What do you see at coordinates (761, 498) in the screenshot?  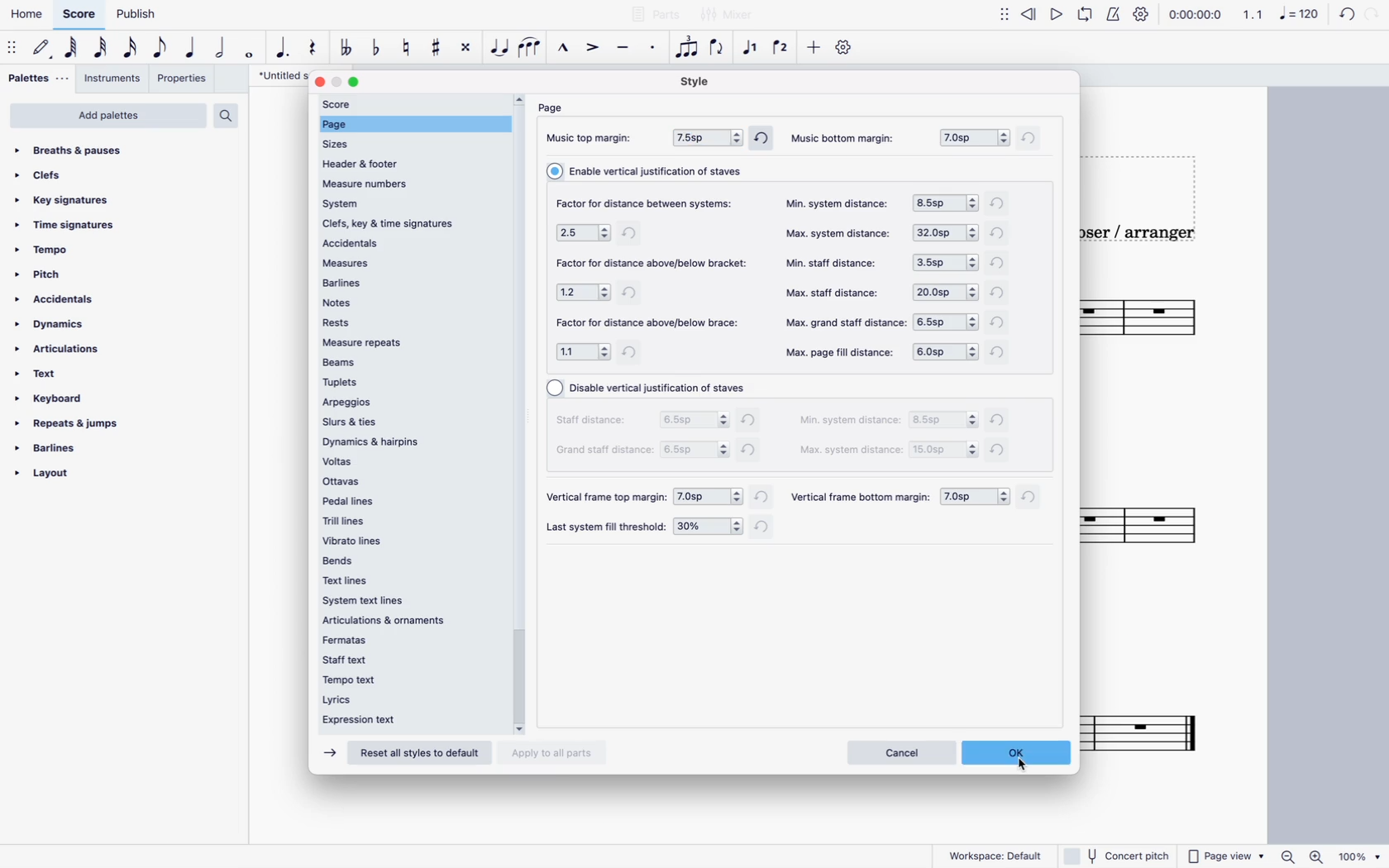 I see `refresh` at bounding box center [761, 498].